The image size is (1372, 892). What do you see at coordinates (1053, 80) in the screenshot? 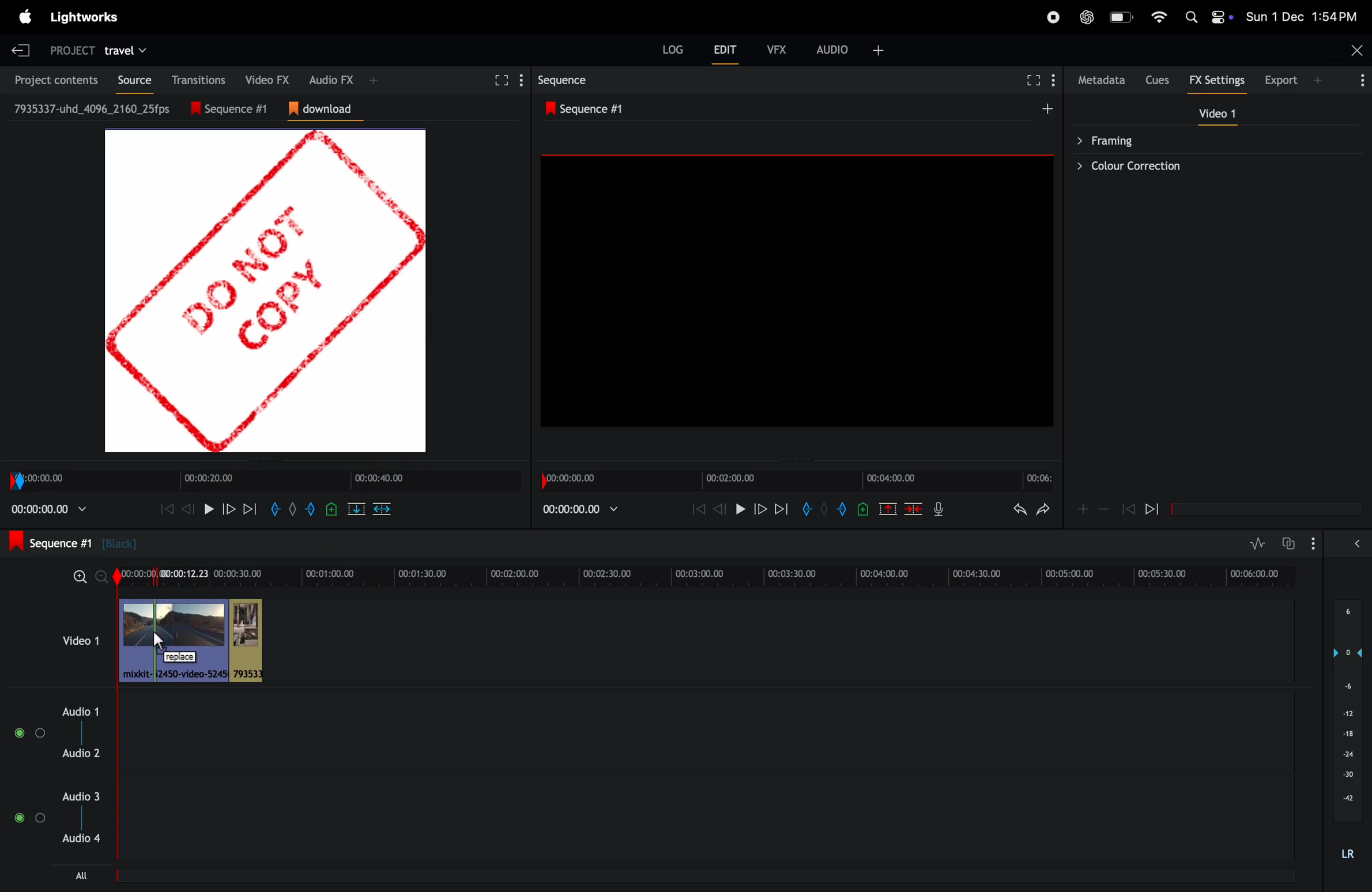
I see `Settings` at bounding box center [1053, 80].